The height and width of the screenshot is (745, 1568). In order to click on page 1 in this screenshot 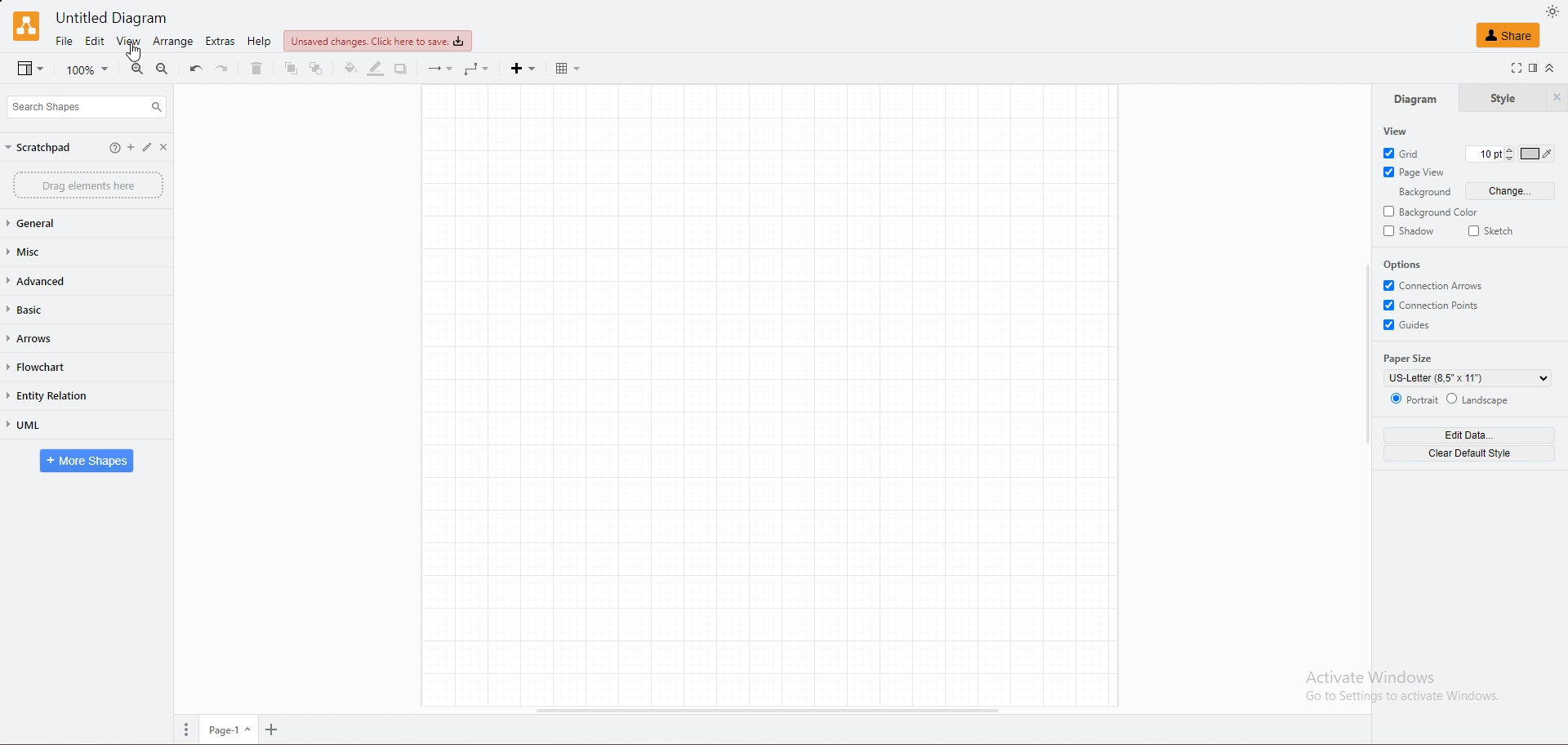, I will do `click(231, 729)`.